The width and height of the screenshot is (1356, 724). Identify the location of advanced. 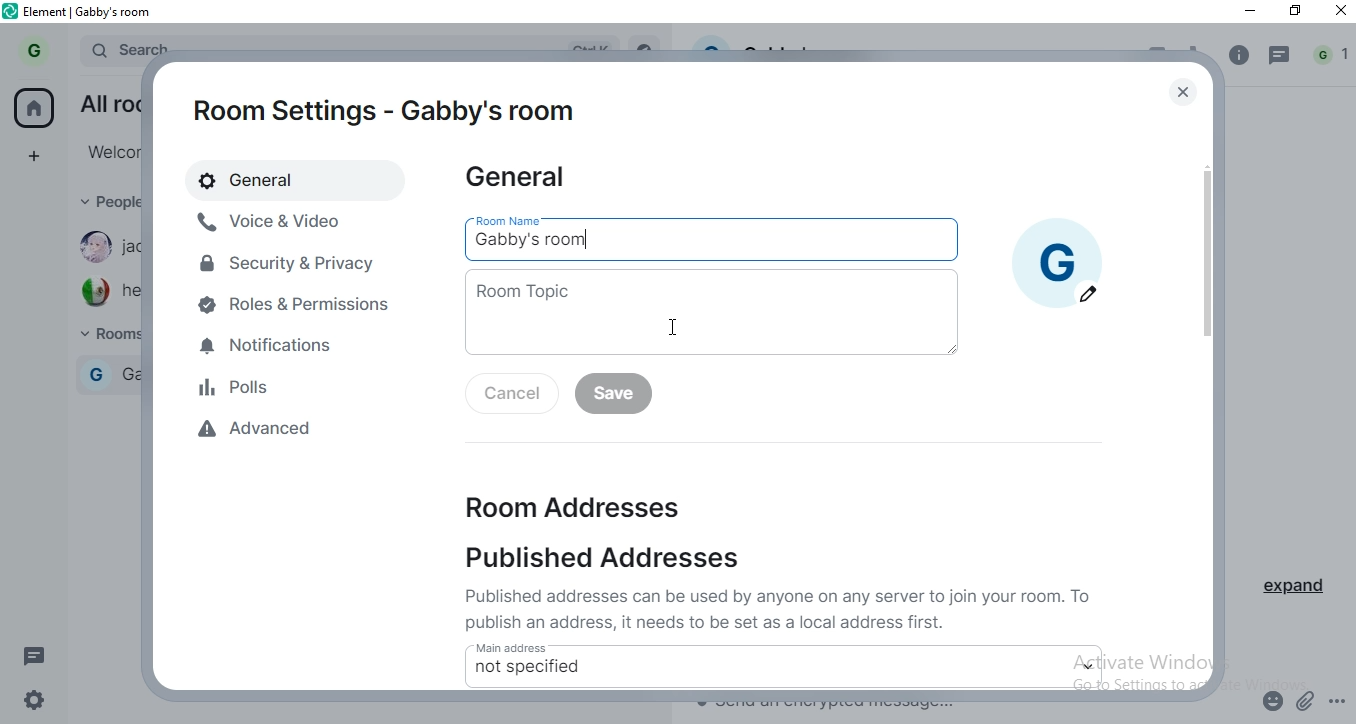
(317, 432).